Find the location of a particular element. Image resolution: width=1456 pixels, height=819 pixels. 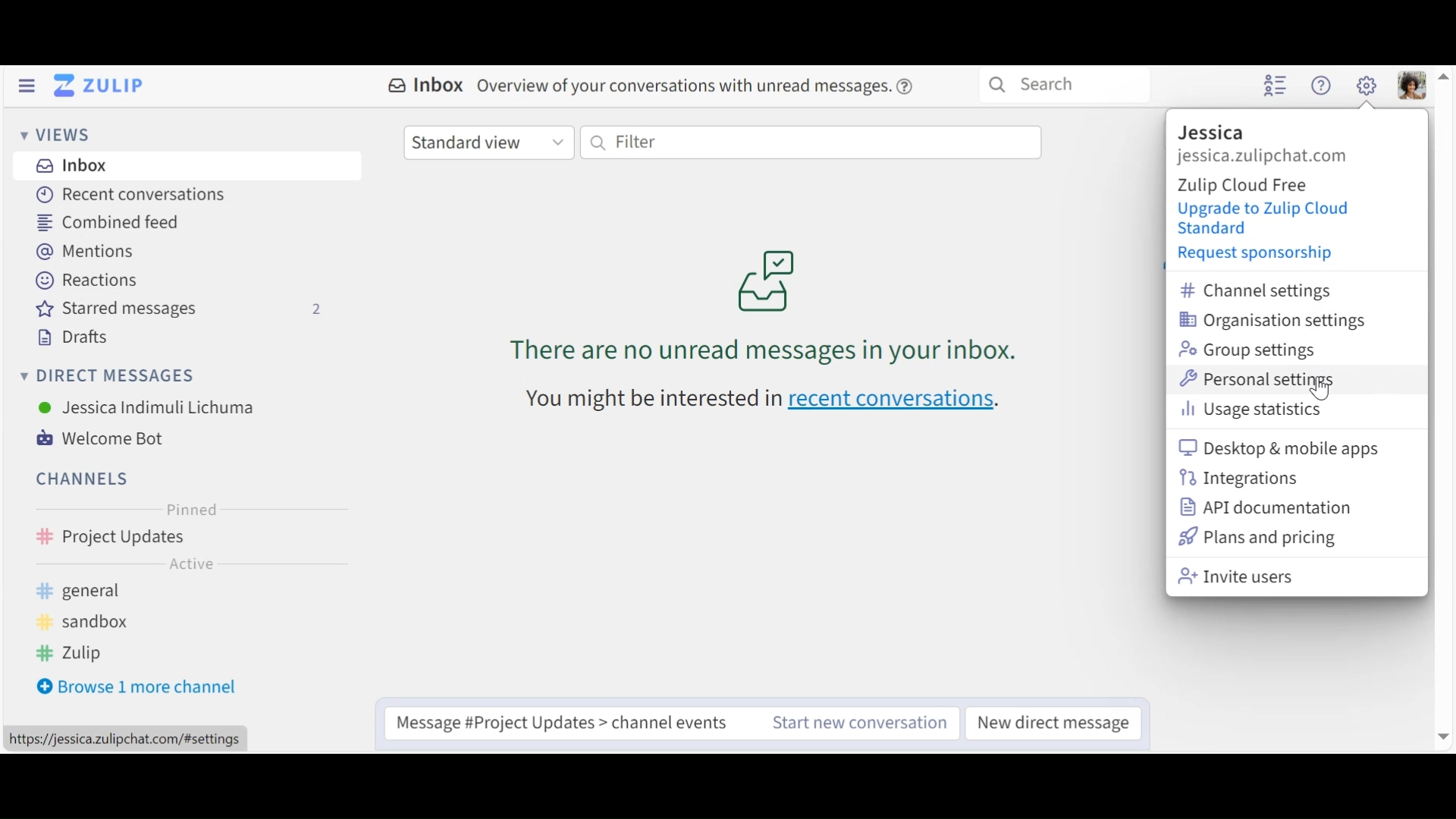

Plans and Pricing is located at coordinates (1257, 538).